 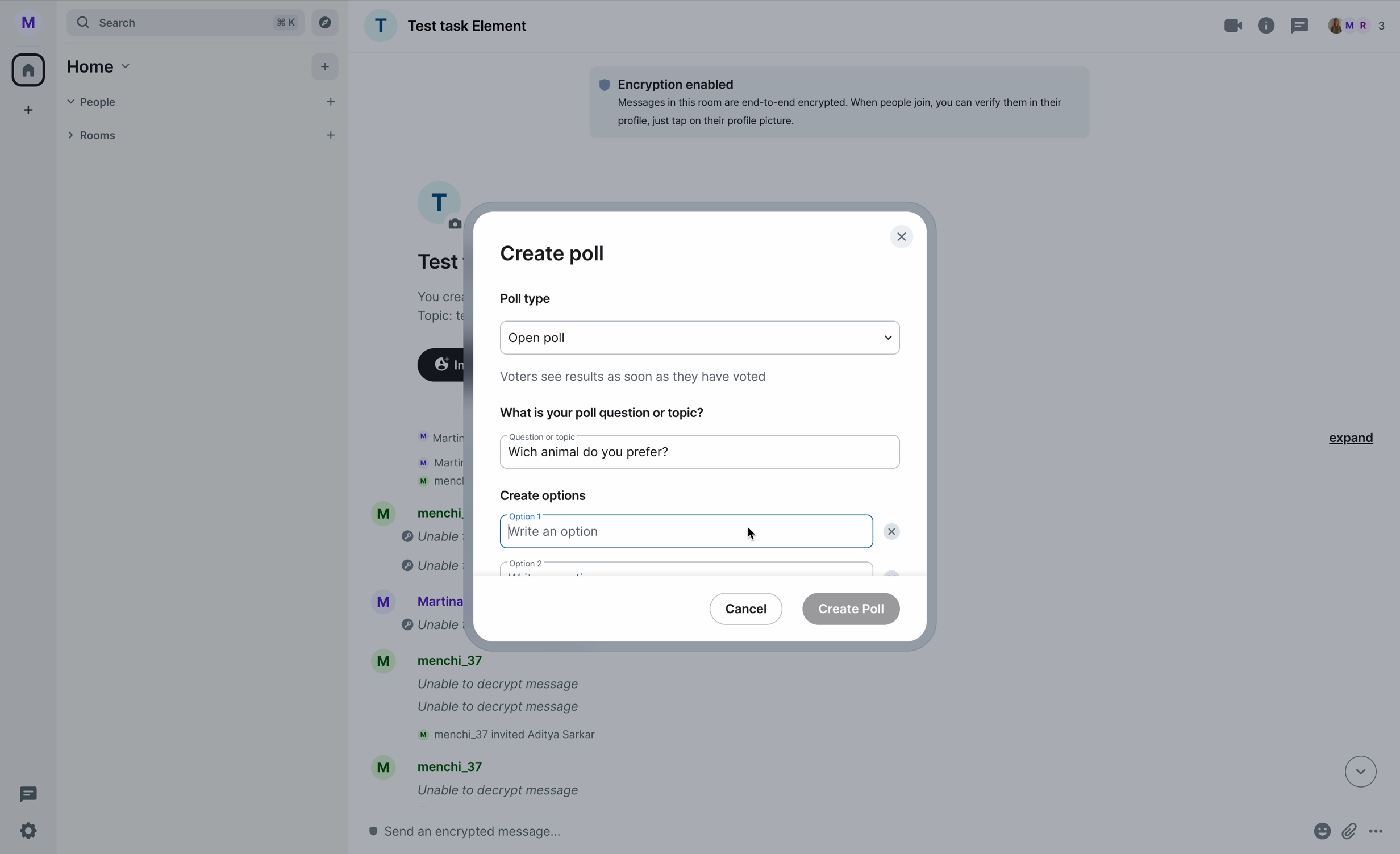 I want to click on video call, so click(x=1235, y=26).